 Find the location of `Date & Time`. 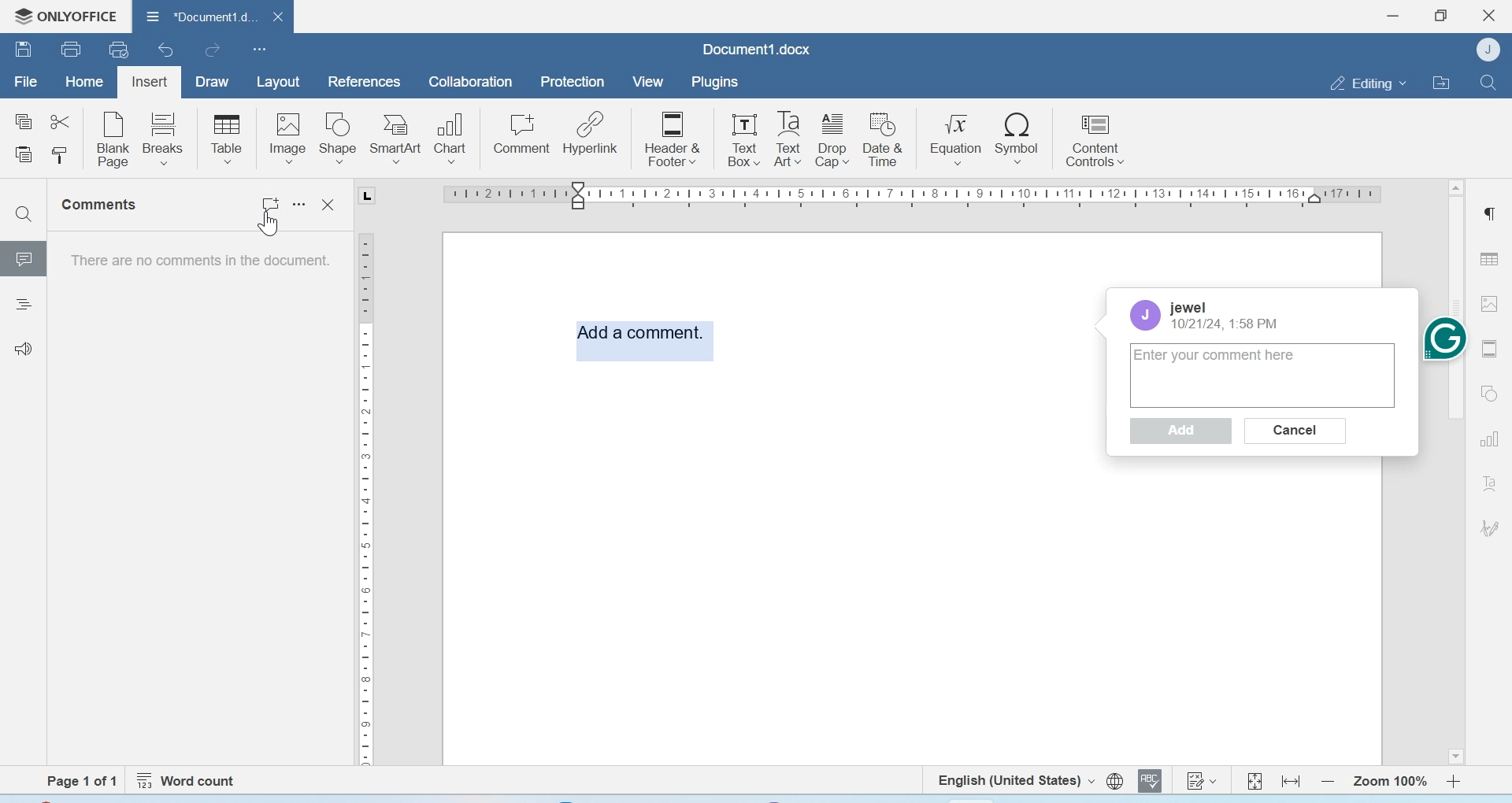

Date & Time is located at coordinates (884, 139).